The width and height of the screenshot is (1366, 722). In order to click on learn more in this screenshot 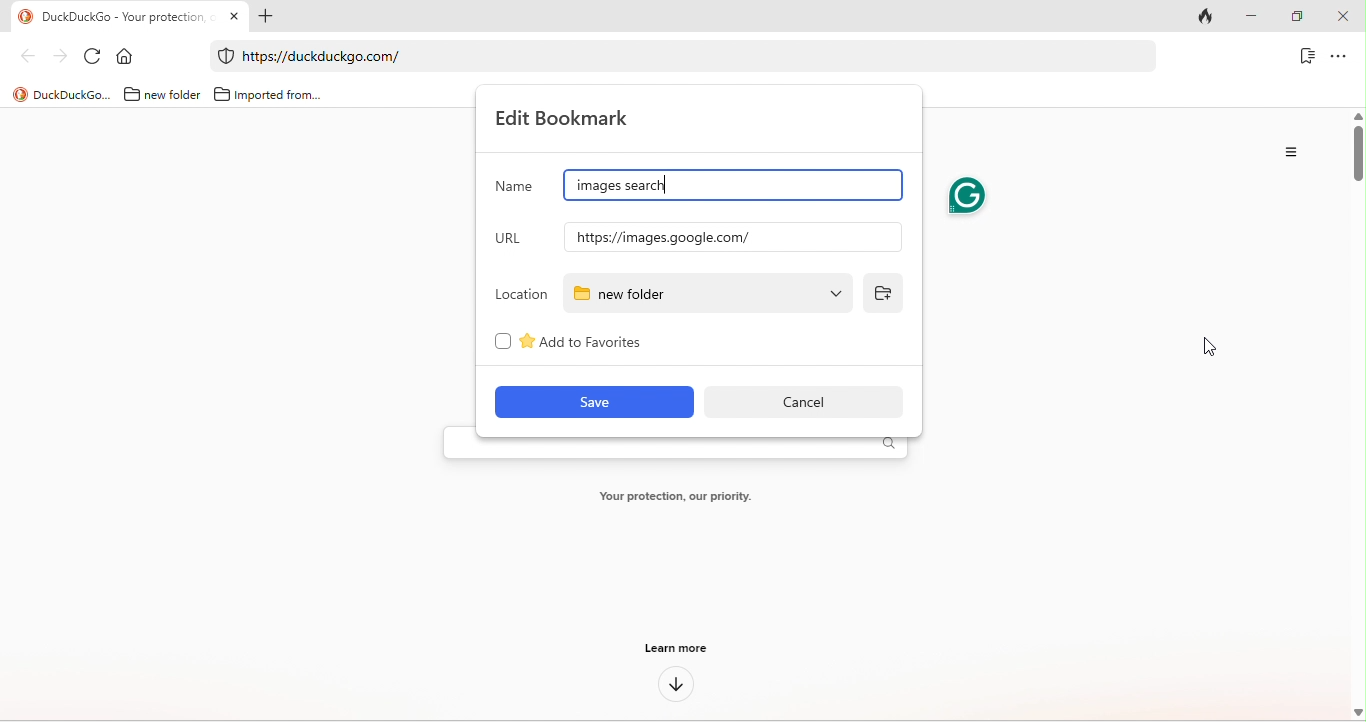, I will do `click(677, 651)`.